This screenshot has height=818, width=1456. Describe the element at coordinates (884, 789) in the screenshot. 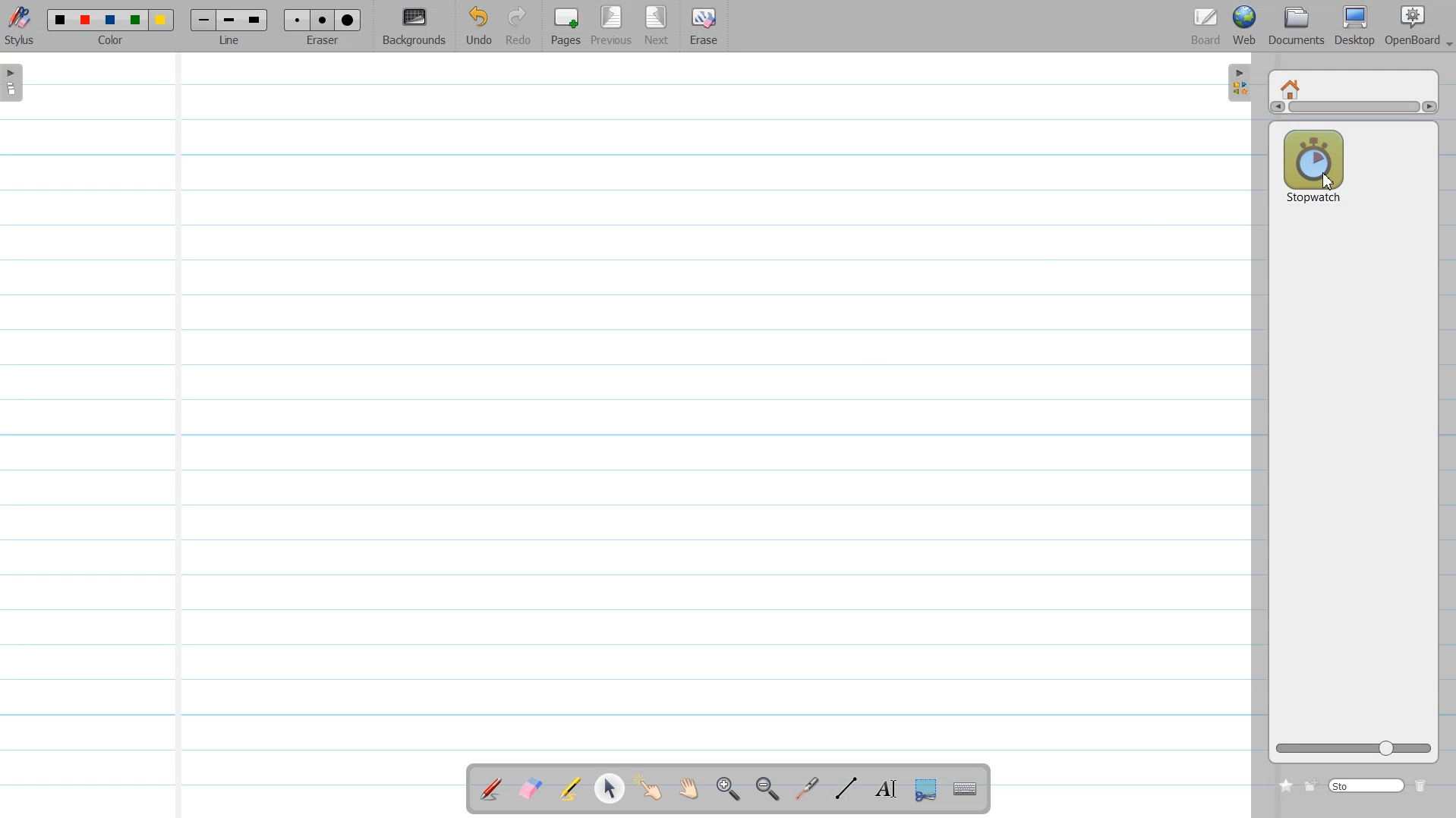

I see `Write Text` at that location.